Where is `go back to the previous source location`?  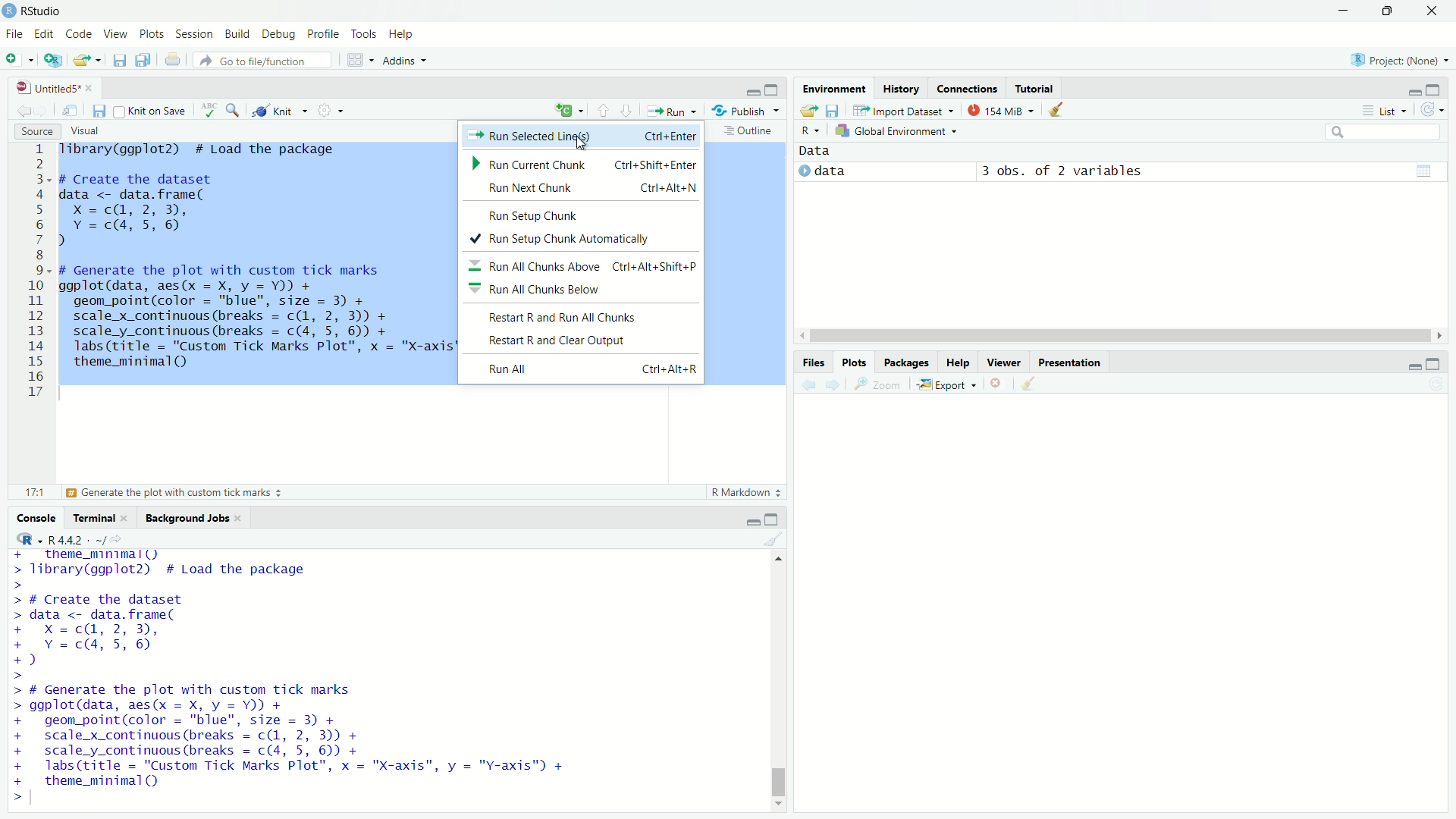 go back to the previous source location is located at coordinates (17, 109).